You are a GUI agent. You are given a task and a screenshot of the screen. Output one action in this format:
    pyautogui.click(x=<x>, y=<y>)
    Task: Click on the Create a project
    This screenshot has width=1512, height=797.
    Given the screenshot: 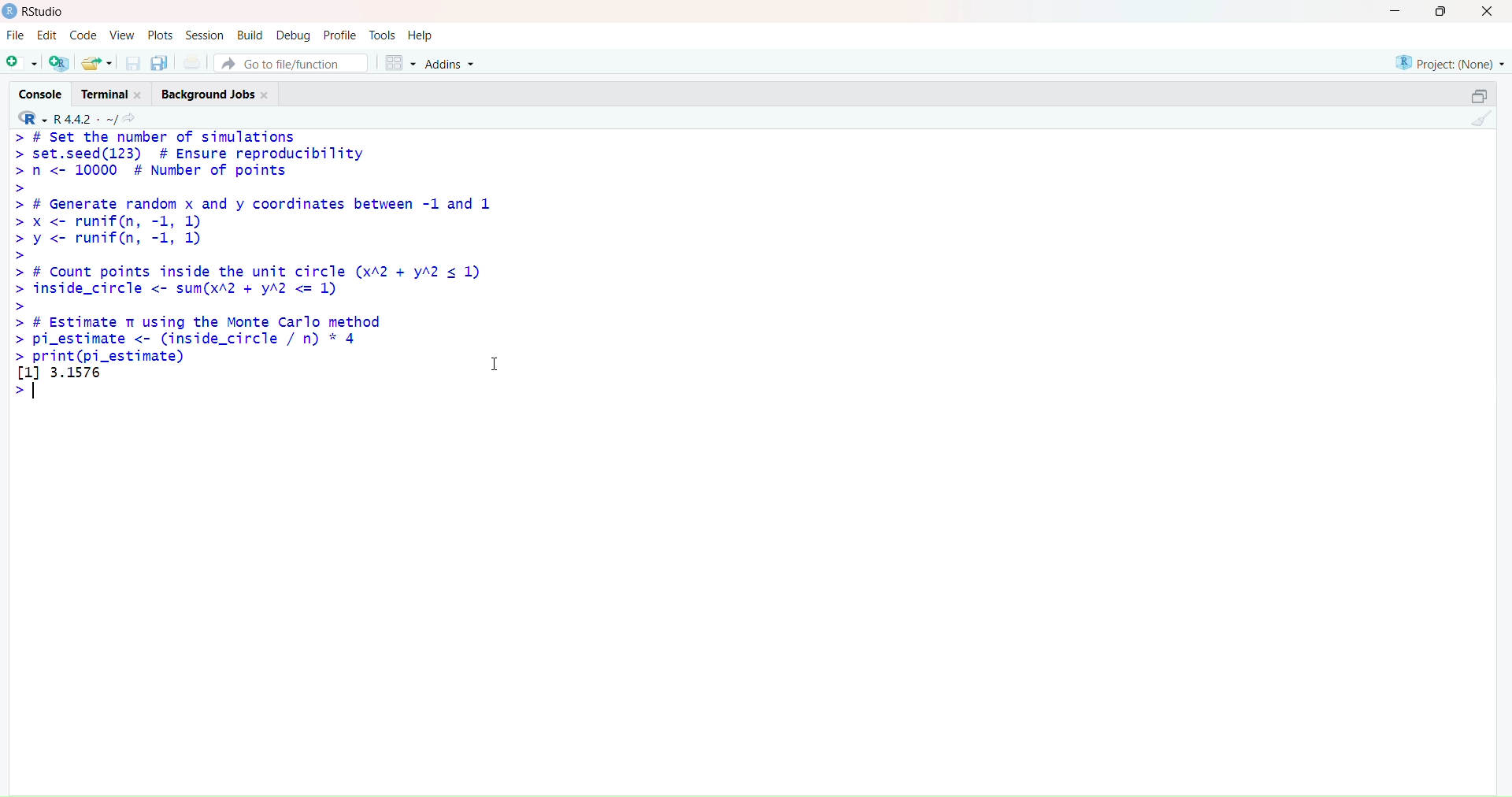 What is the action you would take?
    pyautogui.click(x=62, y=61)
    